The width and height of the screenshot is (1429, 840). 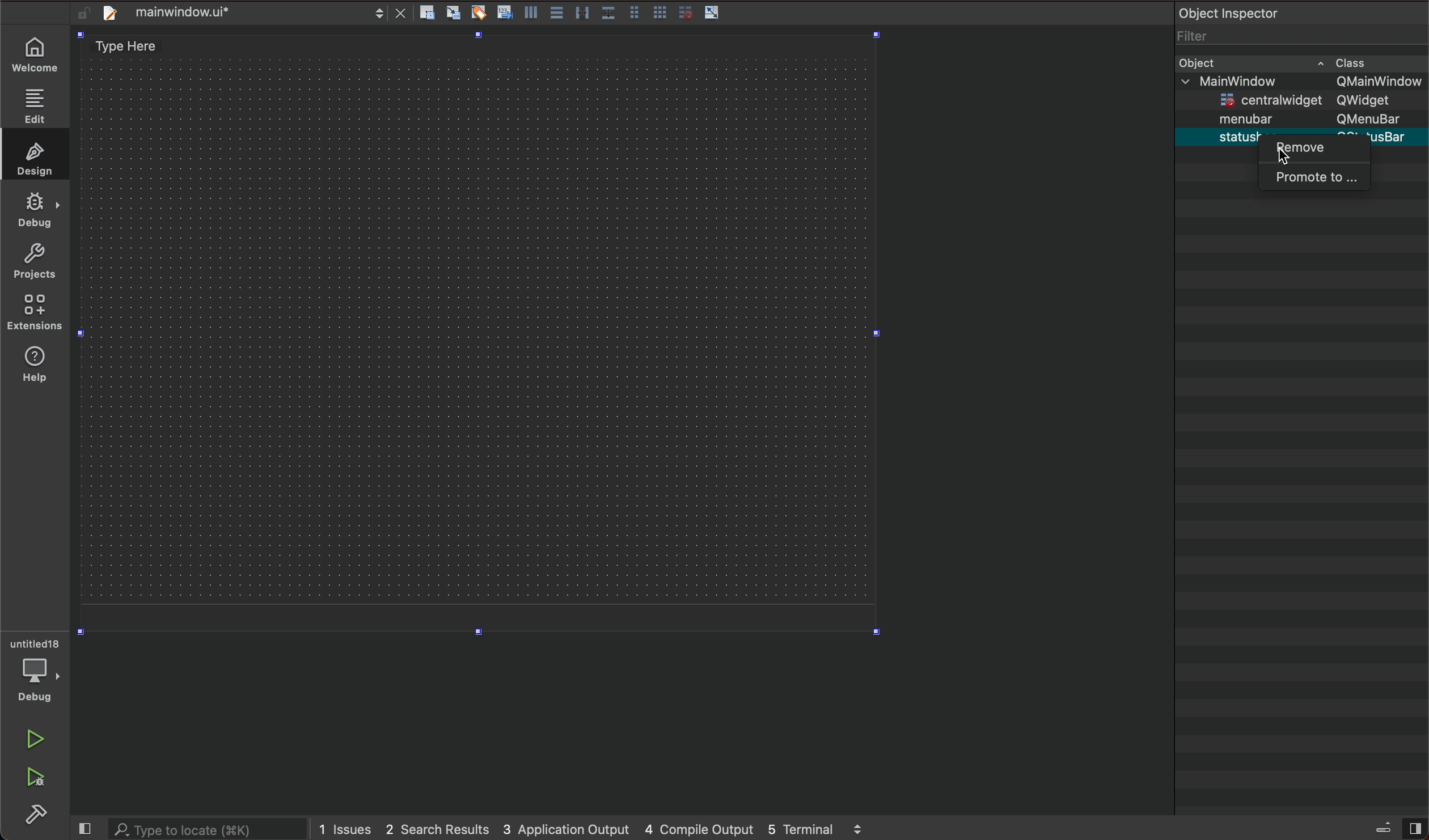 What do you see at coordinates (36, 682) in the screenshot?
I see `debug` at bounding box center [36, 682].